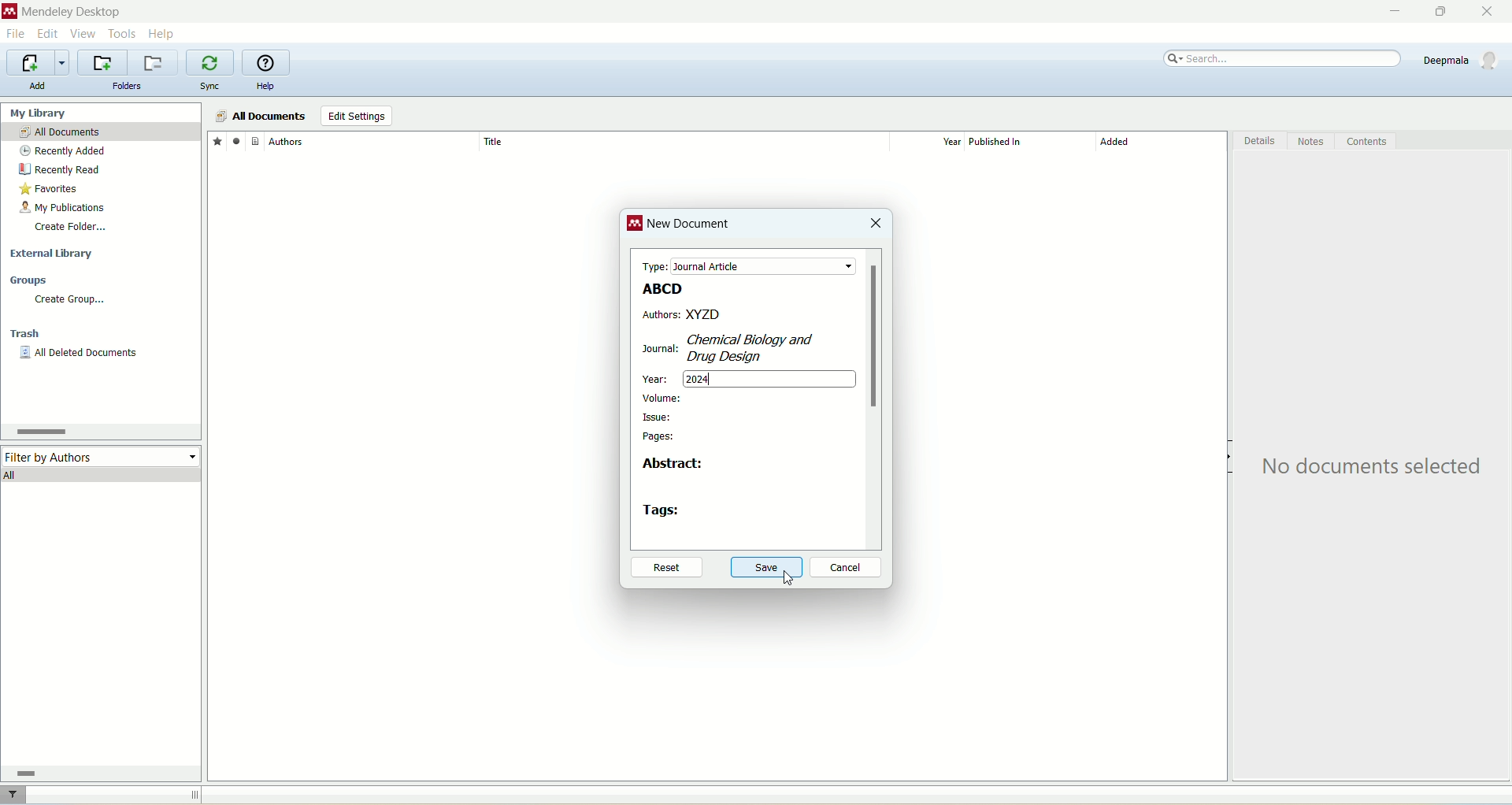 The width and height of the screenshot is (1512, 805). I want to click on recently added, so click(63, 151).